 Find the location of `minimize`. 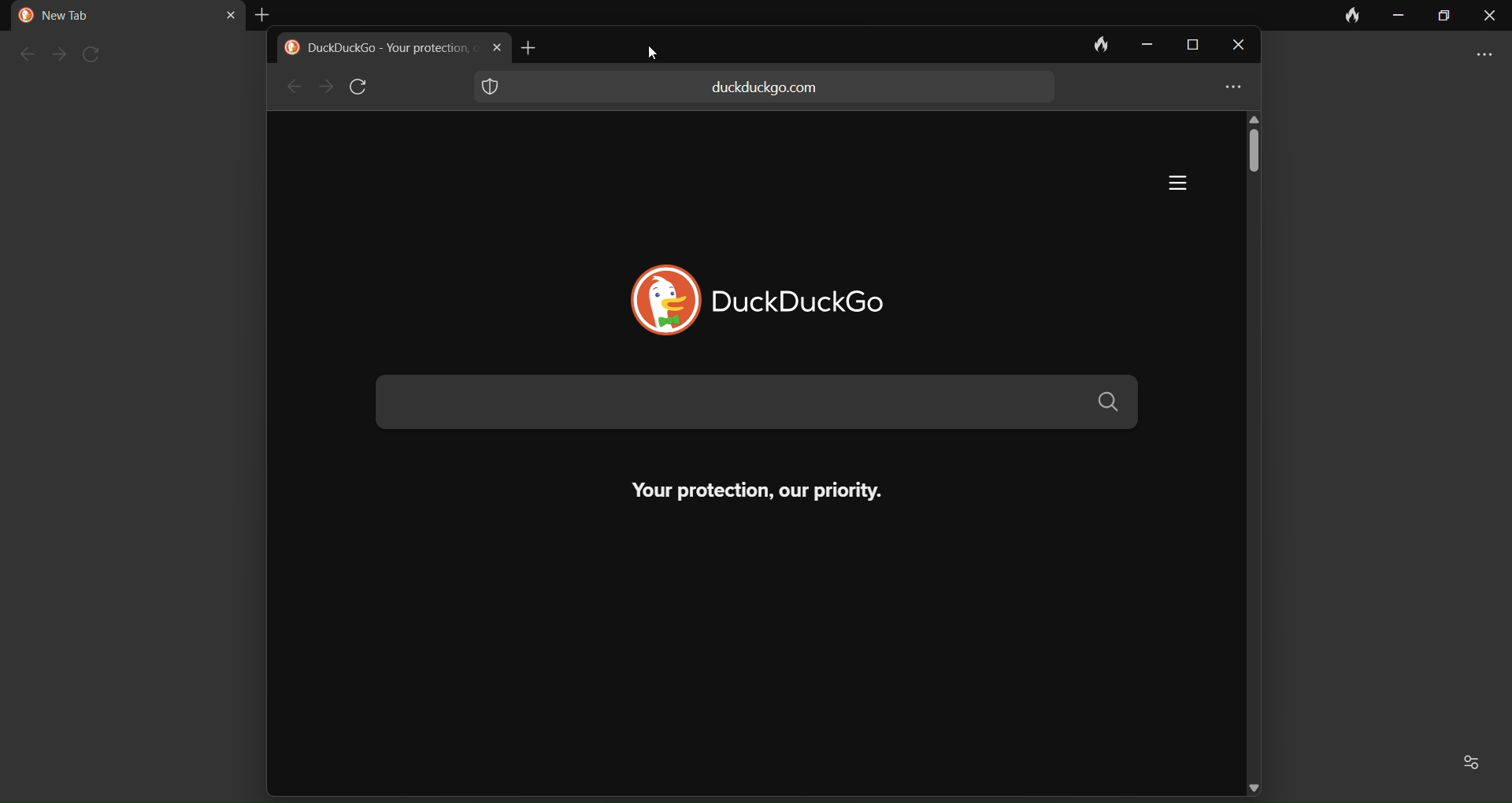

minimize is located at coordinates (1142, 45).